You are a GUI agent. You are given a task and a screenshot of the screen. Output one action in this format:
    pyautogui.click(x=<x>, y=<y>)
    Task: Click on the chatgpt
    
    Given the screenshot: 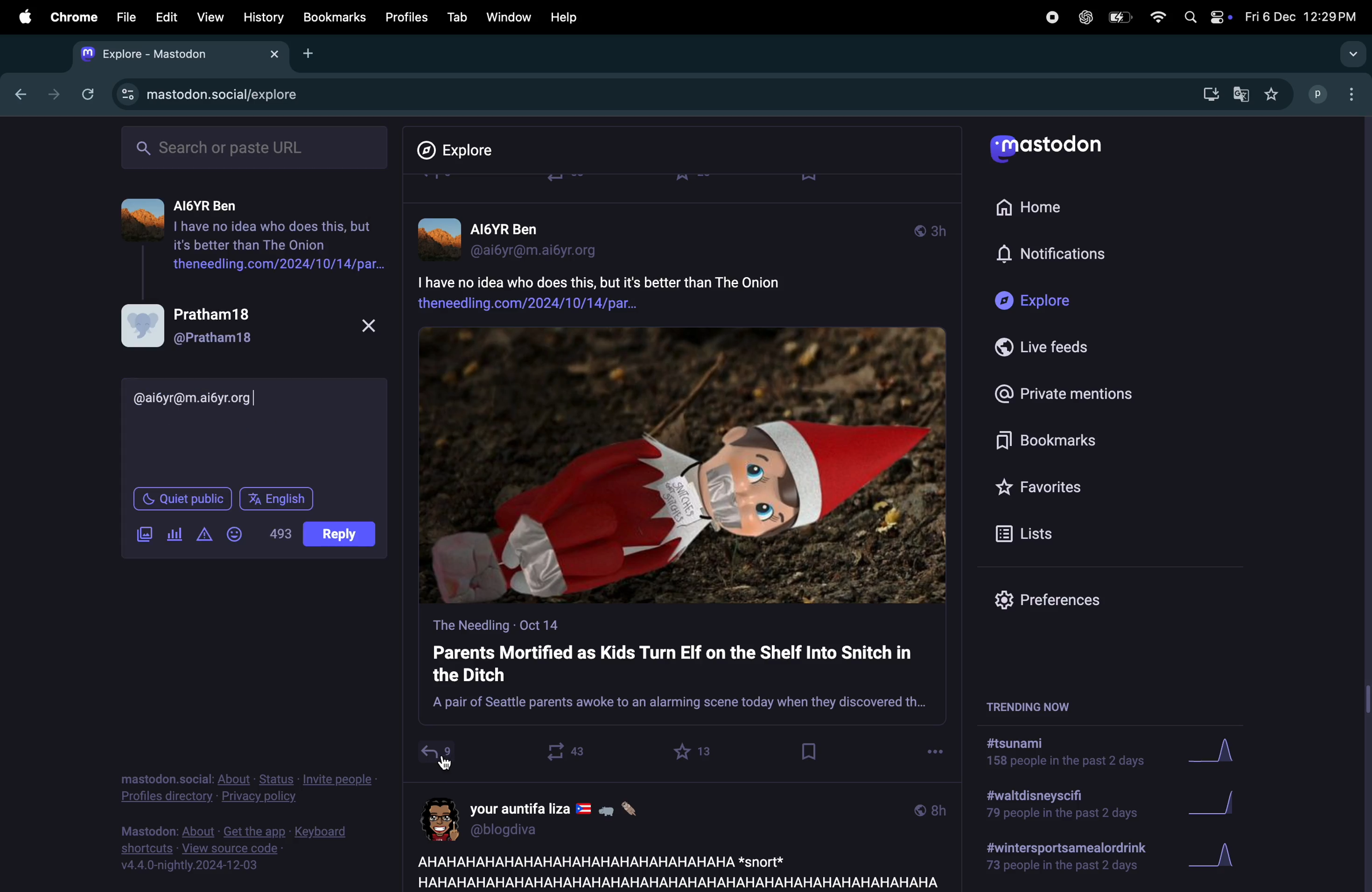 What is the action you would take?
    pyautogui.click(x=1084, y=17)
    